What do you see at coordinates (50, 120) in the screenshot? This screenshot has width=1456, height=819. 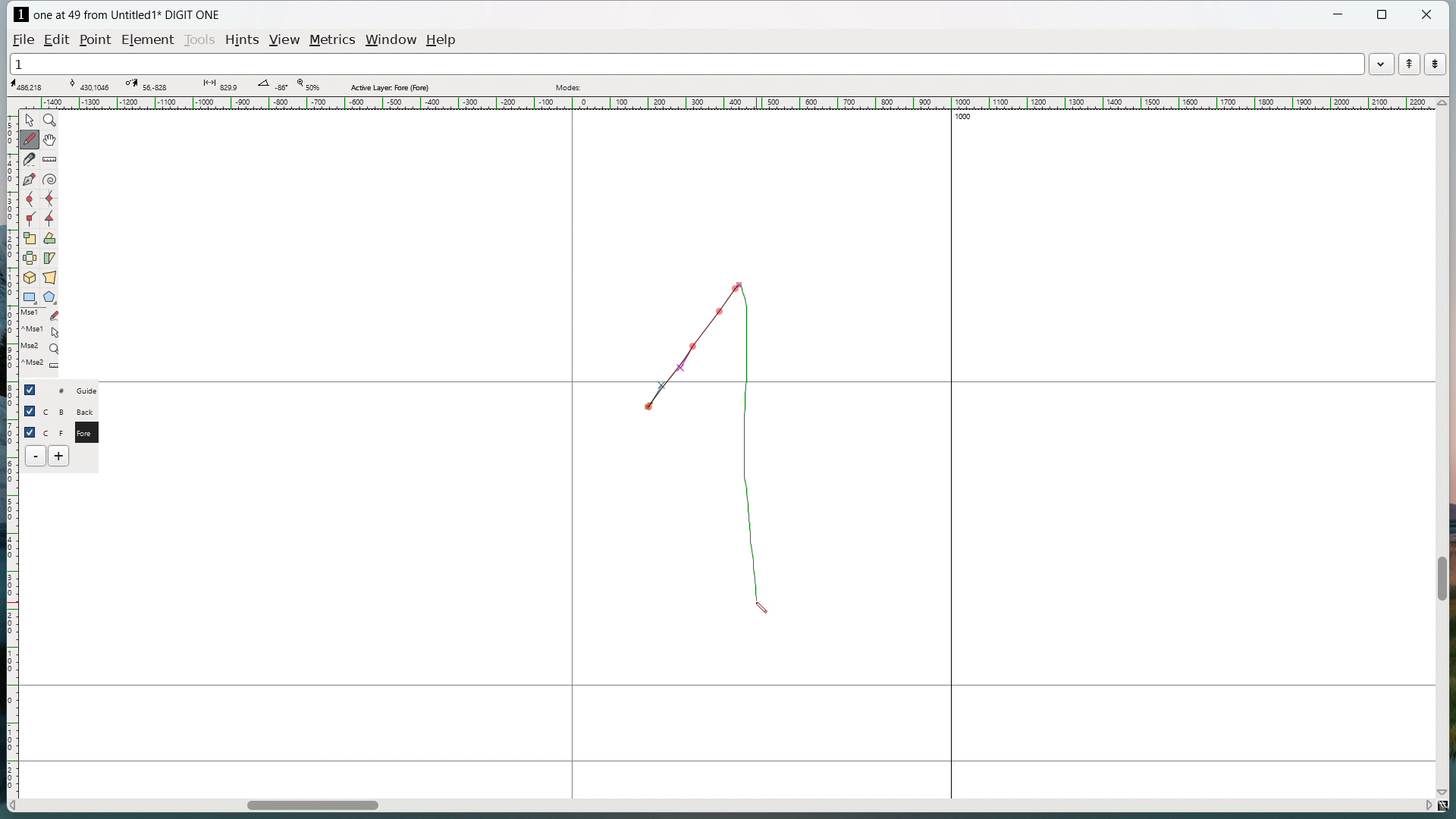 I see `magnify` at bounding box center [50, 120].